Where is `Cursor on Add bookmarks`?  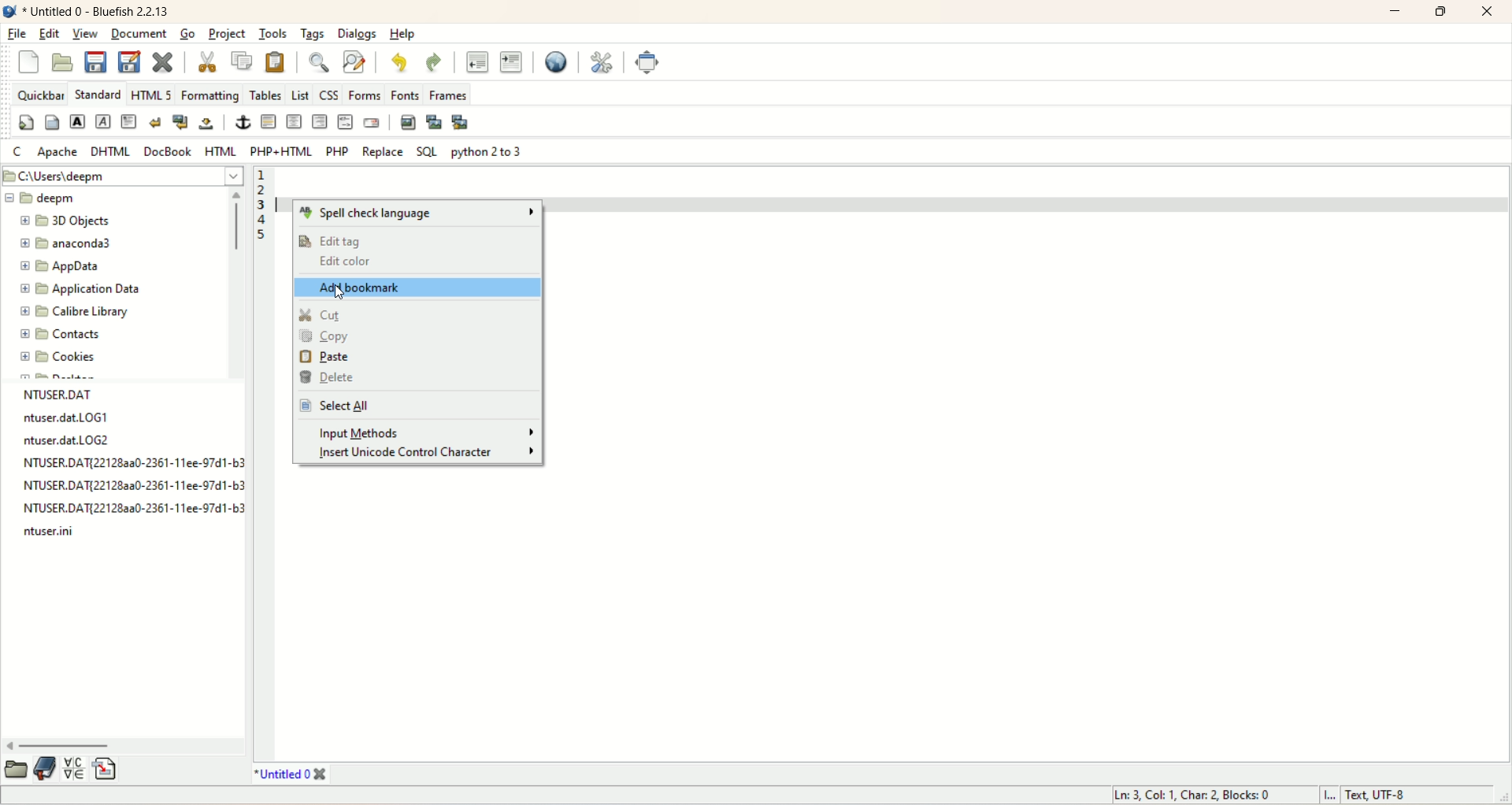 Cursor on Add bookmarks is located at coordinates (342, 291).